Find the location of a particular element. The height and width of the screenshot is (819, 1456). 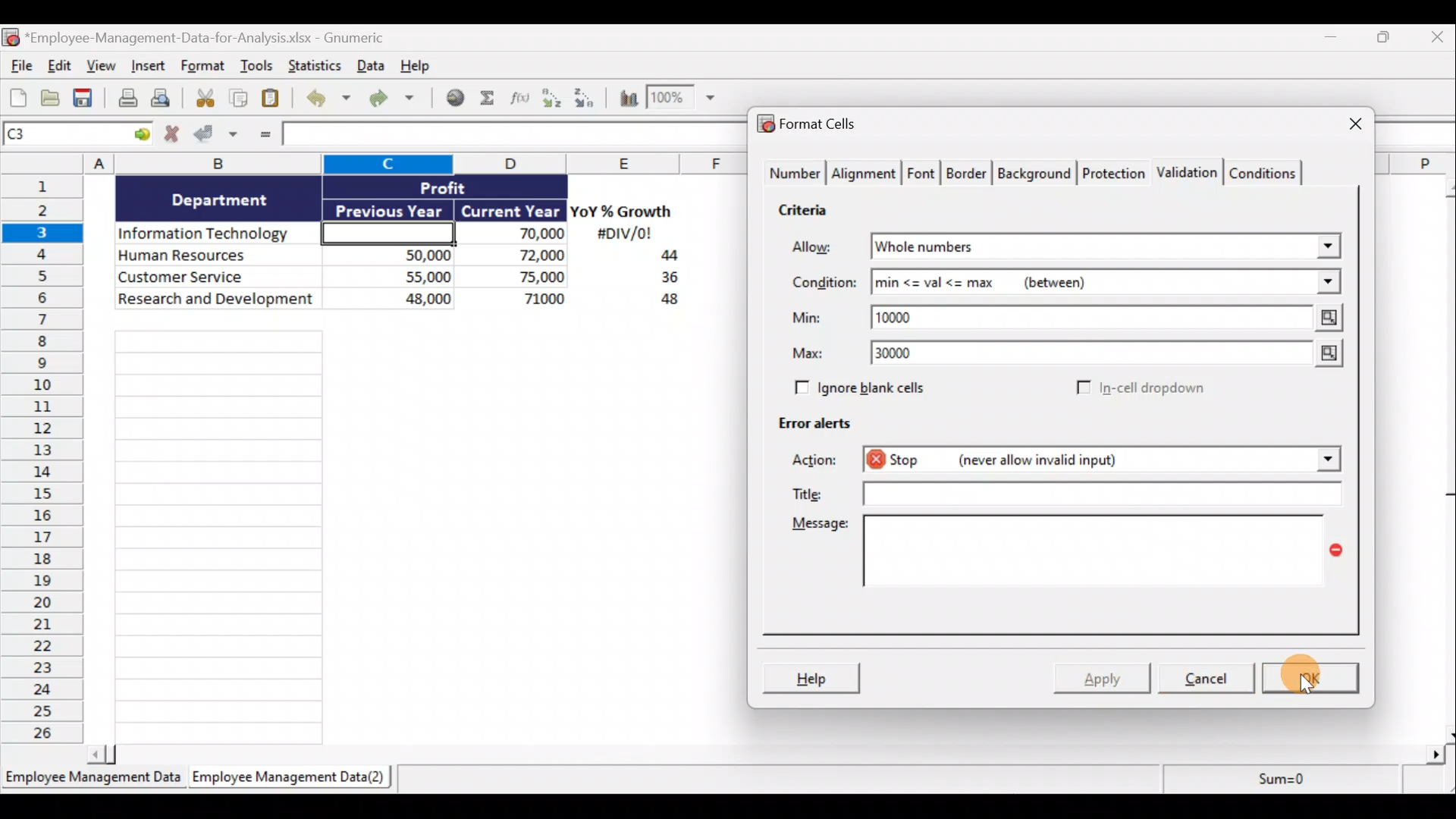

Stop (never accept invalid input) is located at coordinates (1023, 459).